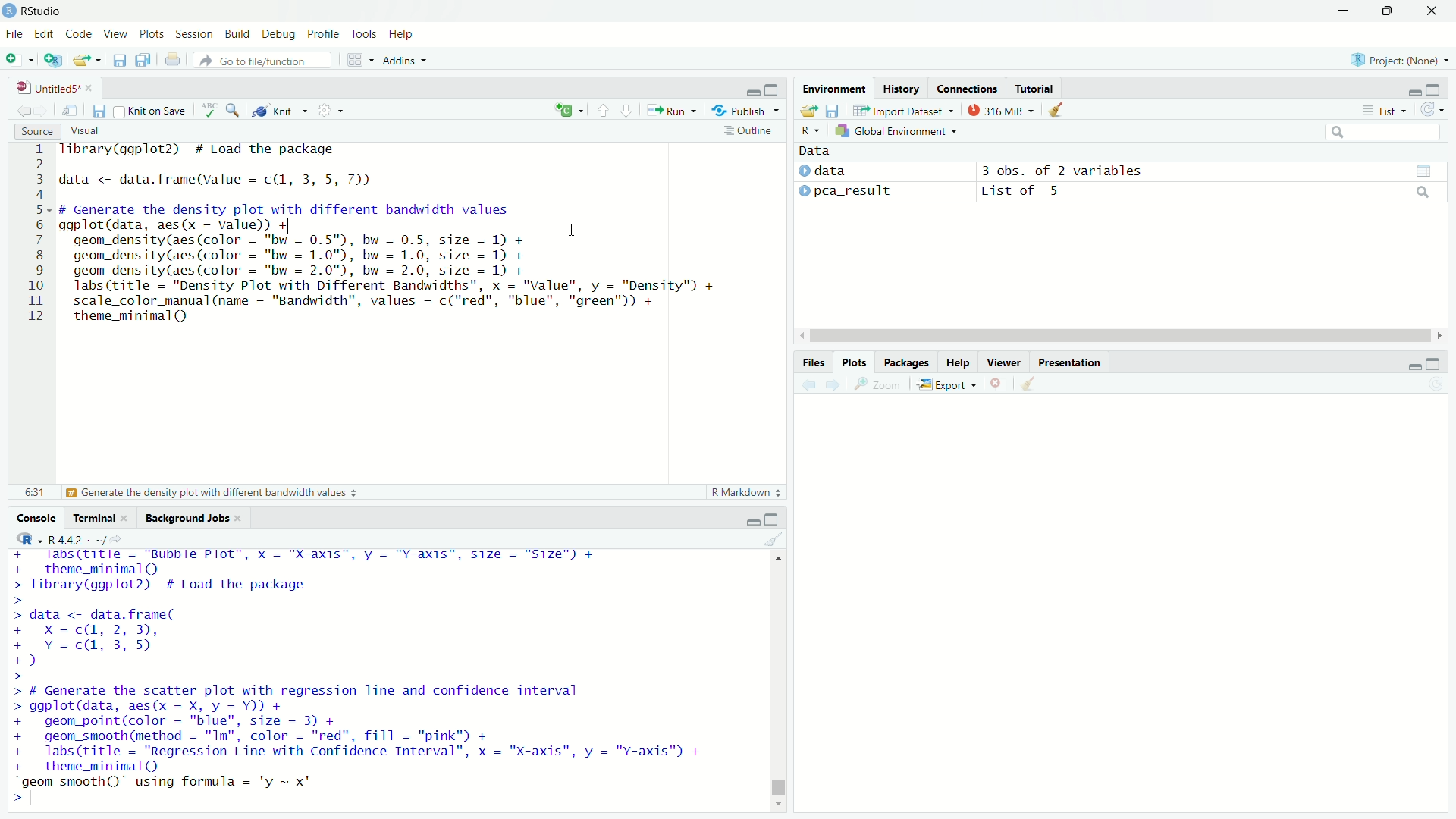 The width and height of the screenshot is (1456, 819). Describe the element at coordinates (117, 538) in the screenshot. I see `View the current working current directory` at that location.